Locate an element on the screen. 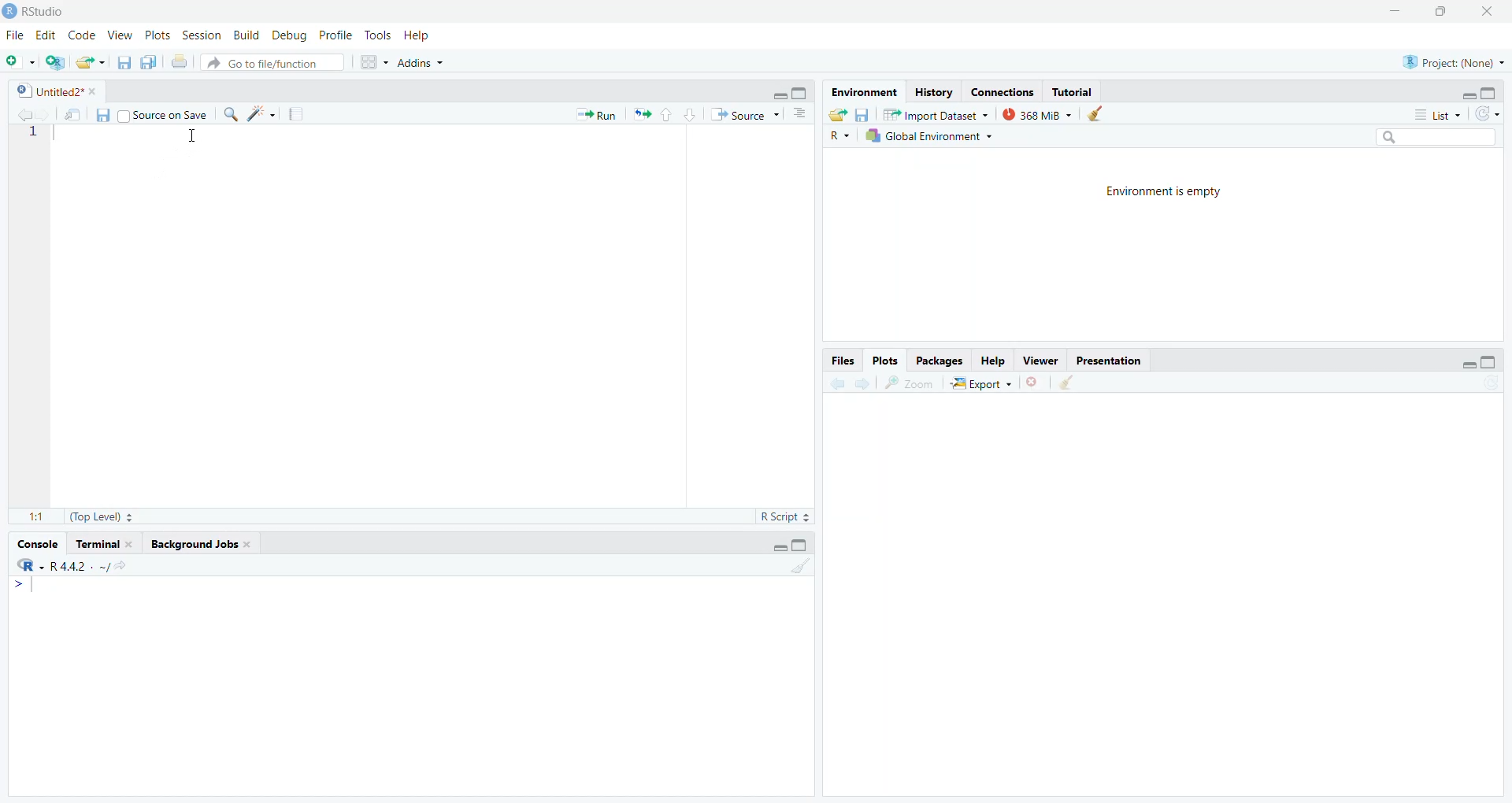  Environment is empty is located at coordinates (1166, 192).